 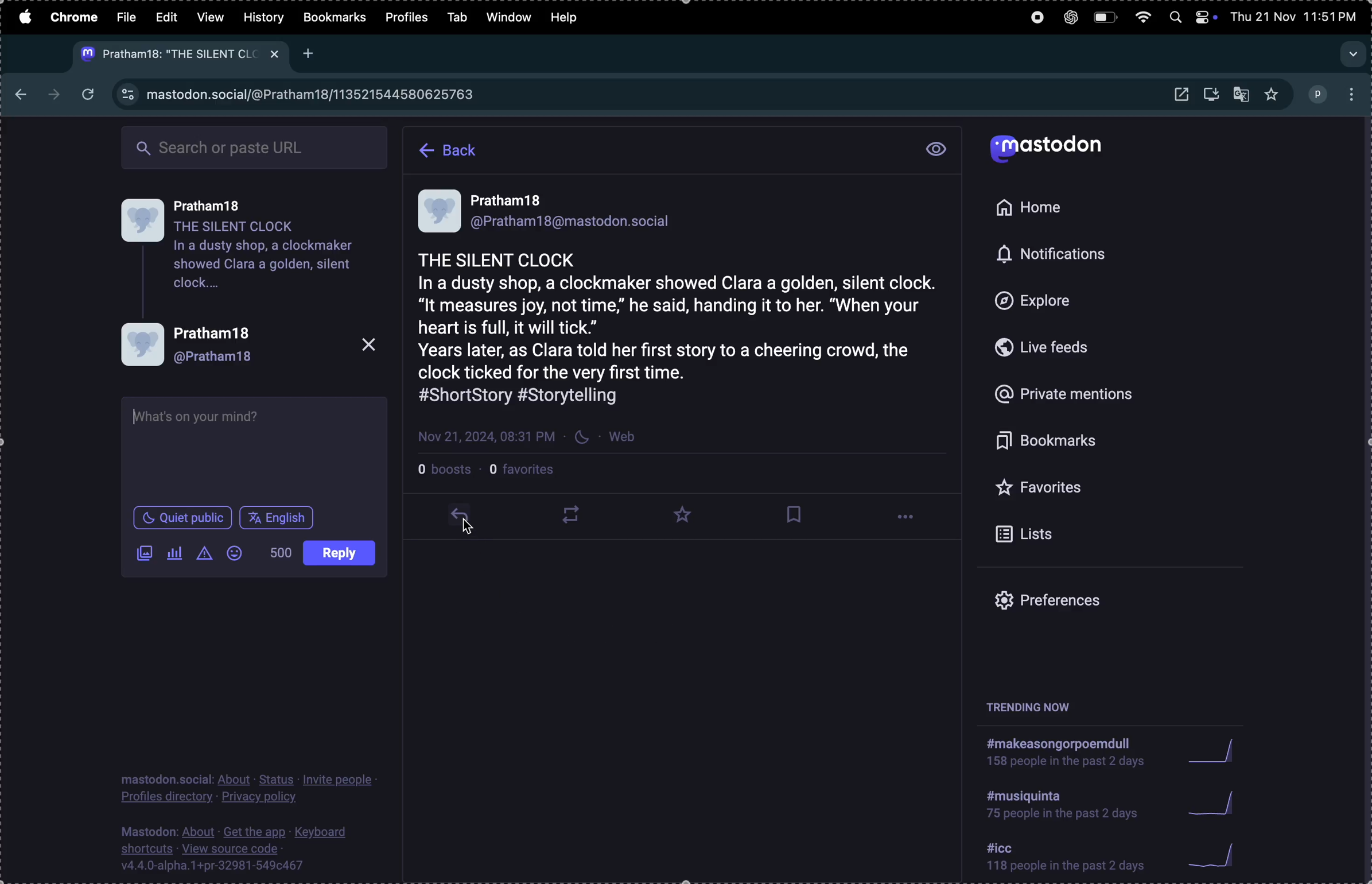 What do you see at coordinates (247, 847) in the screenshot?
I see `source code` at bounding box center [247, 847].